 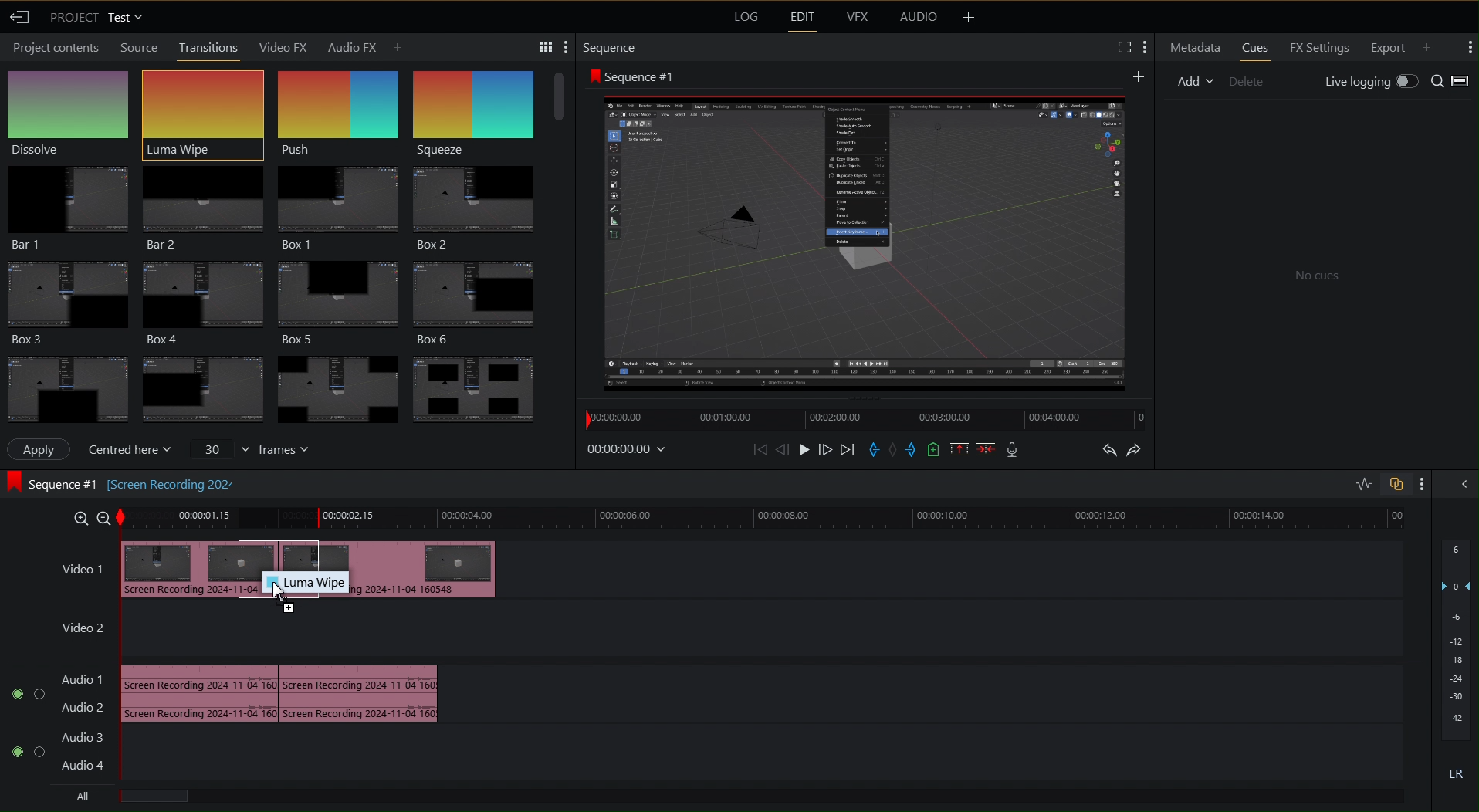 I want to click on Delete, so click(x=1247, y=81).